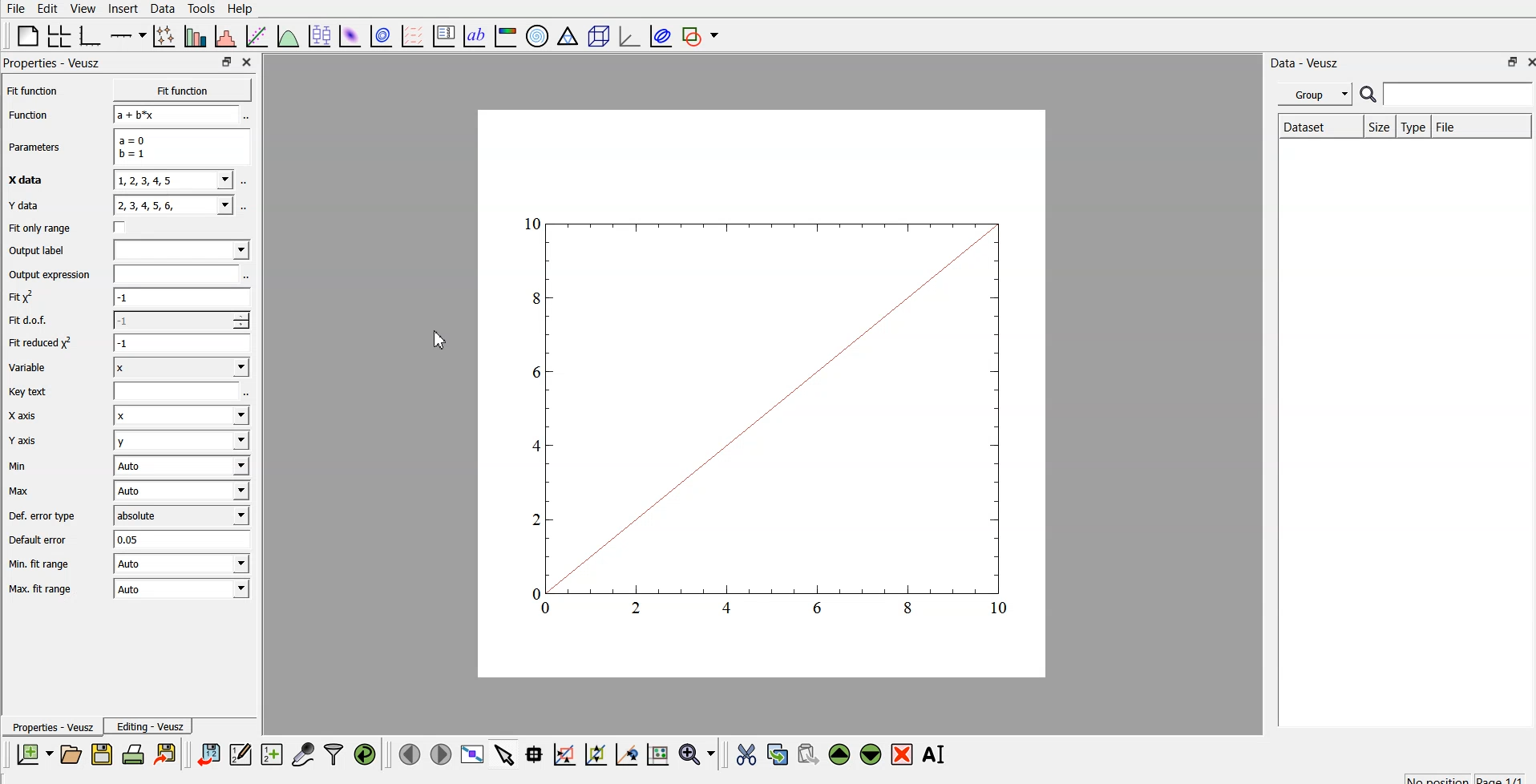 The width and height of the screenshot is (1536, 784). What do you see at coordinates (507, 757) in the screenshot?
I see `select items from graph` at bounding box center [507, 757].